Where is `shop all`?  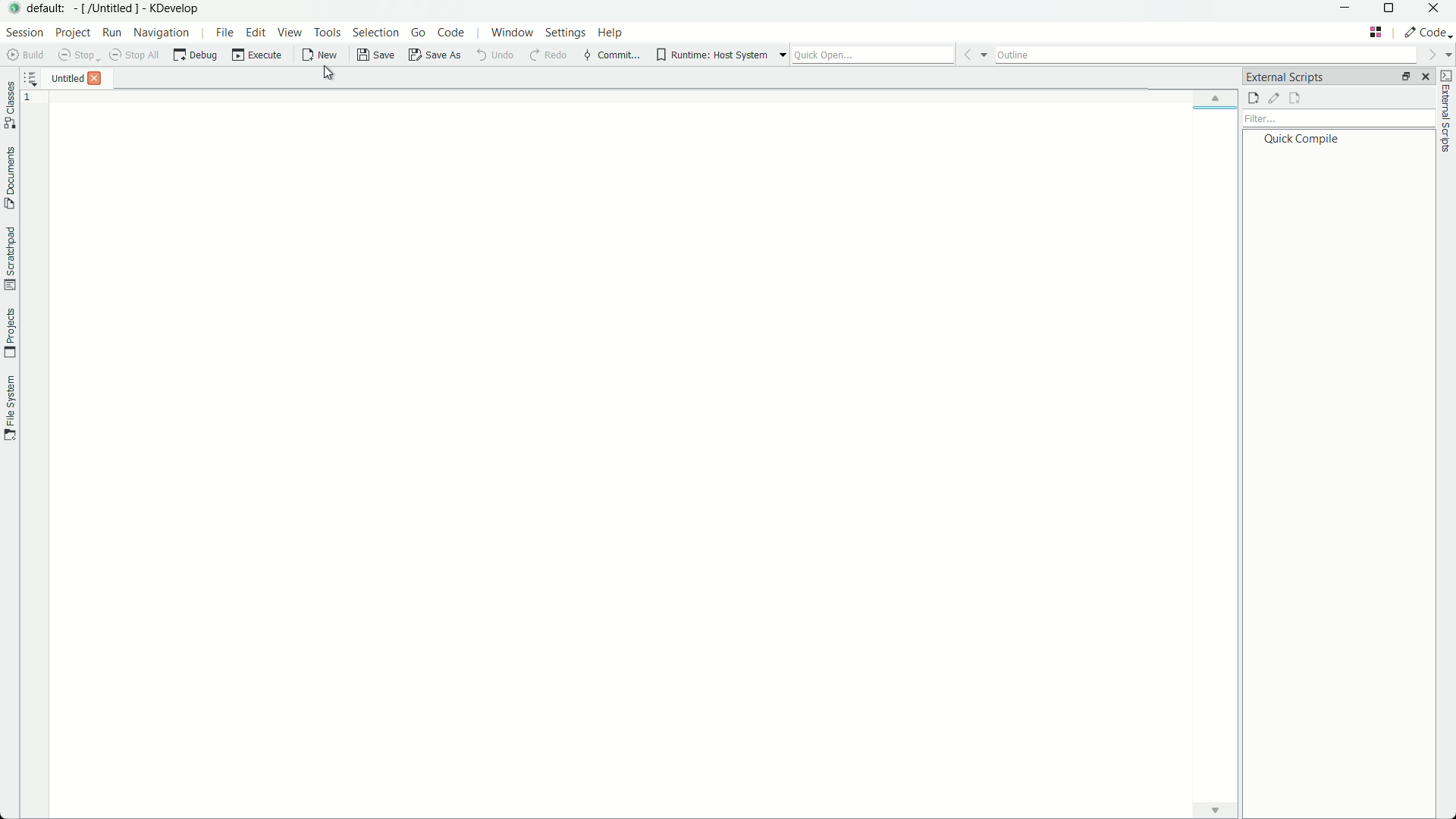 shop all is located at coordinates (135, 55).